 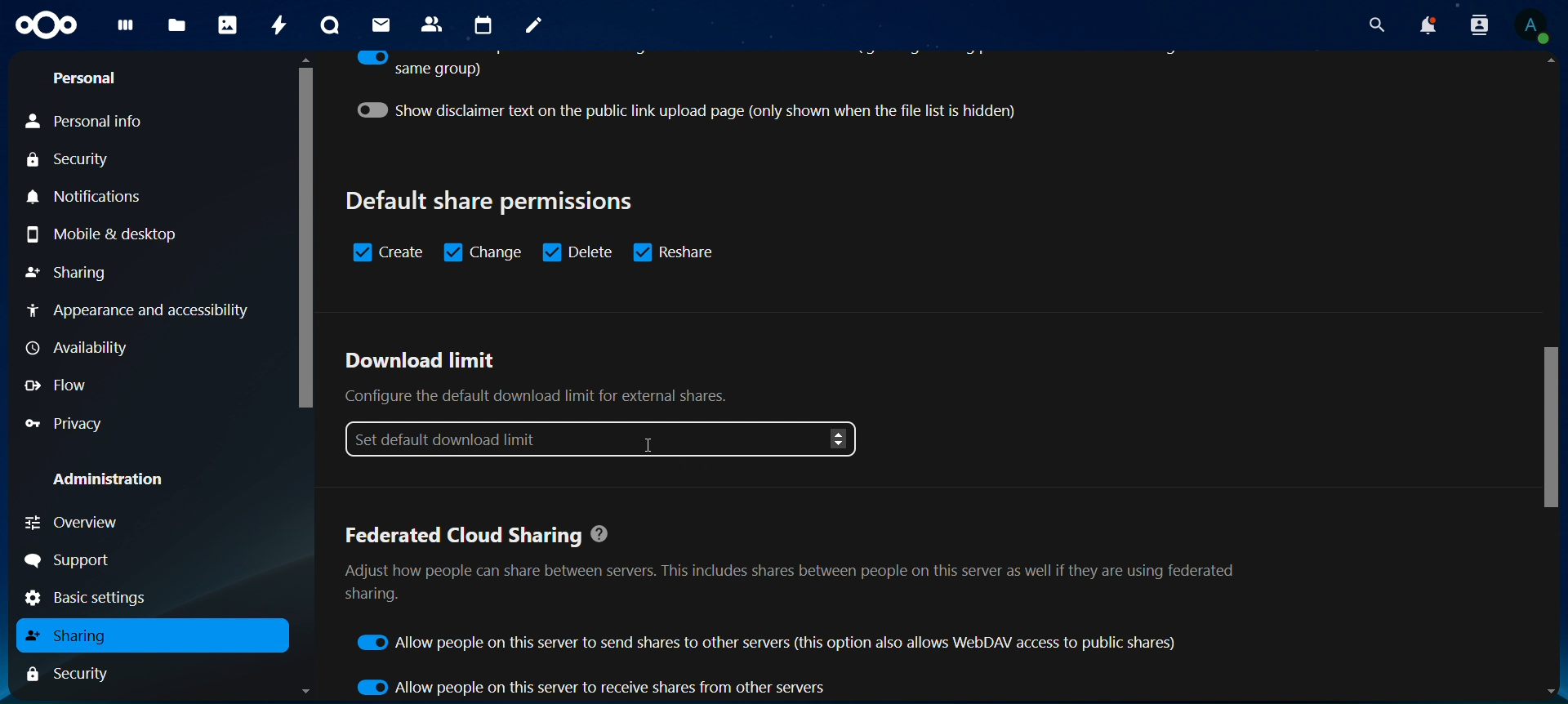 I want to click on overview, so click(x=85, y=520).